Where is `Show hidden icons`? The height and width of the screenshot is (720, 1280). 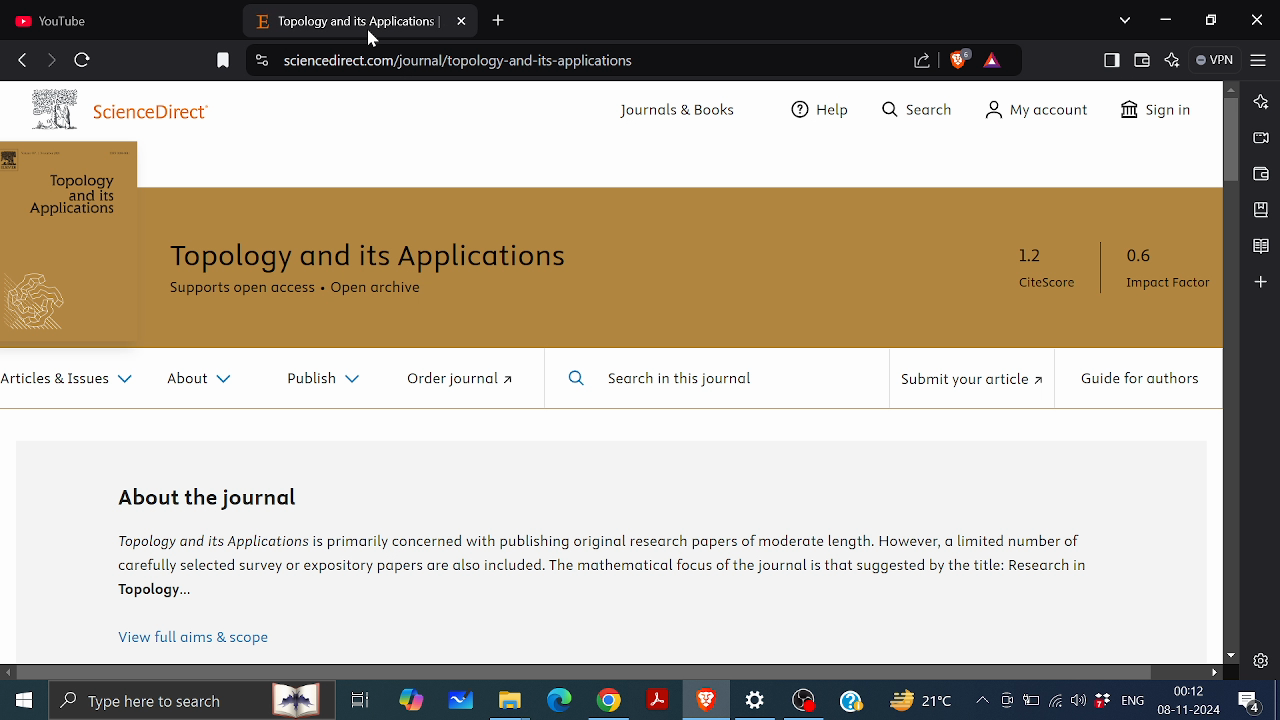 Show hidden icons is located at coordinates (982, 701).